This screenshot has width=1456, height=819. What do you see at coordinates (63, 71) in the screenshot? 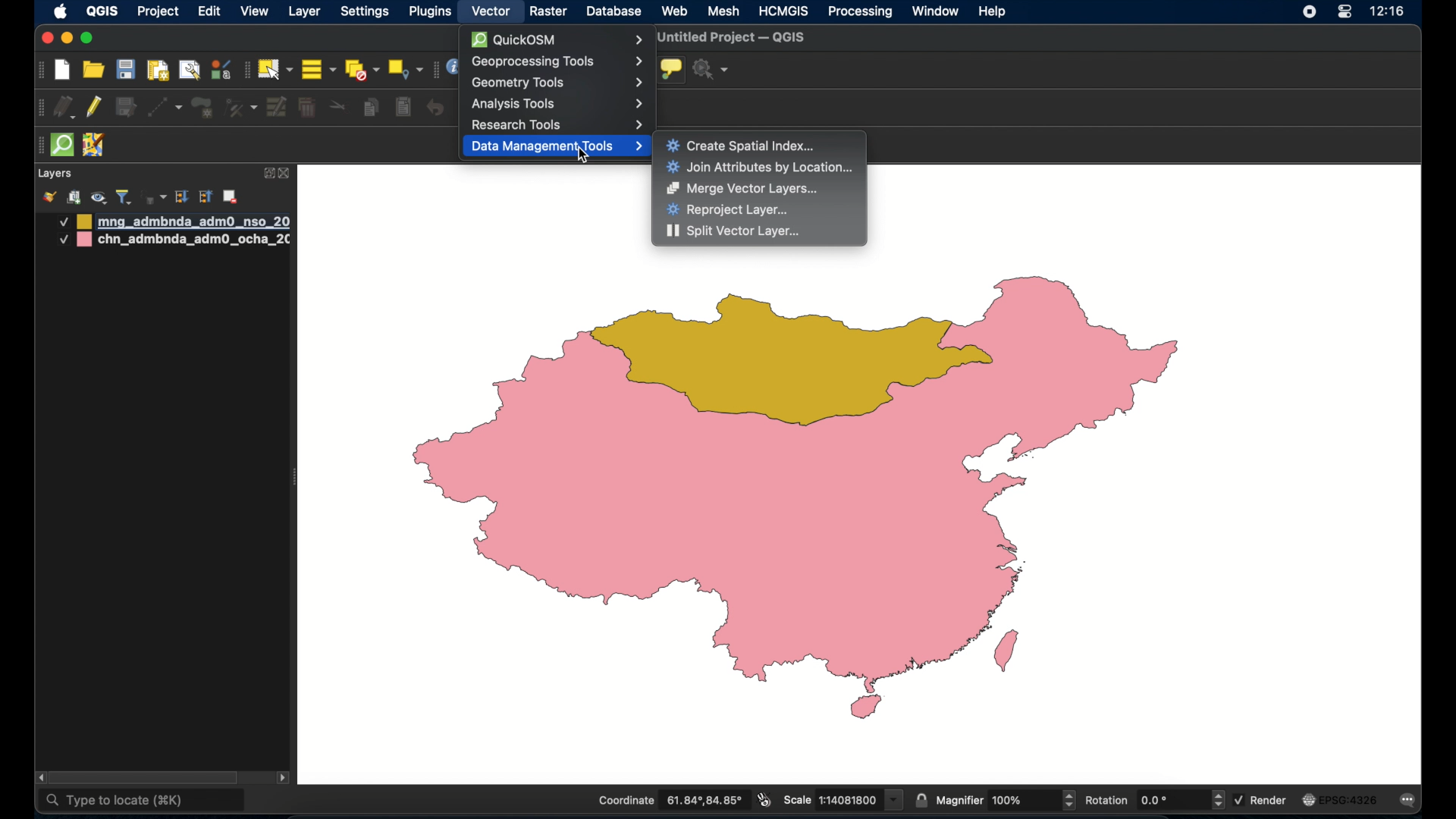
I see `create new project` at bounding box center [63, 71].